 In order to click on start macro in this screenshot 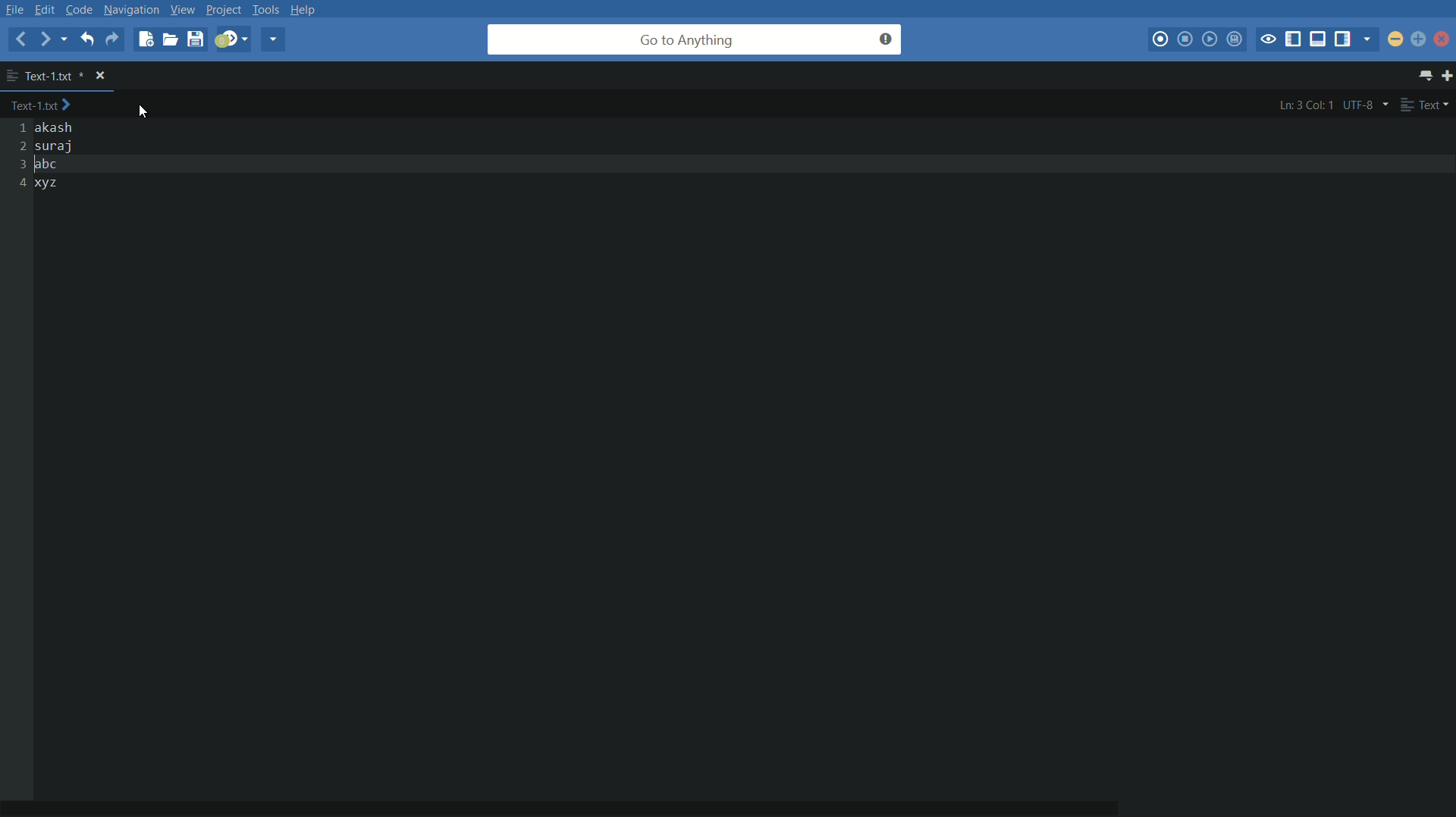, I will do `click(1162, 40)`.